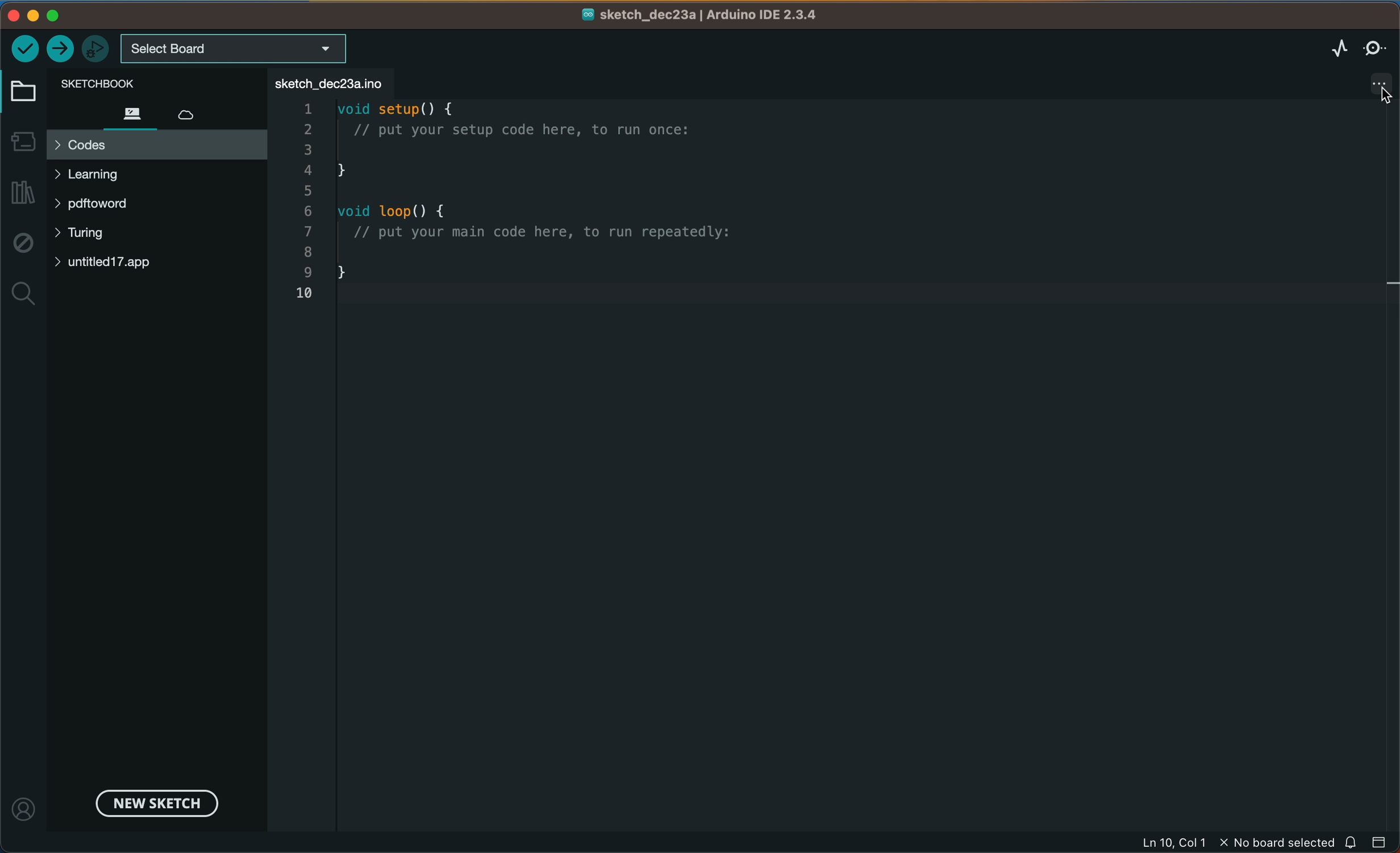  What do you see at coordinates (61, 49) in the screenshot?
I see `upload` at bounding box center [61, 49].